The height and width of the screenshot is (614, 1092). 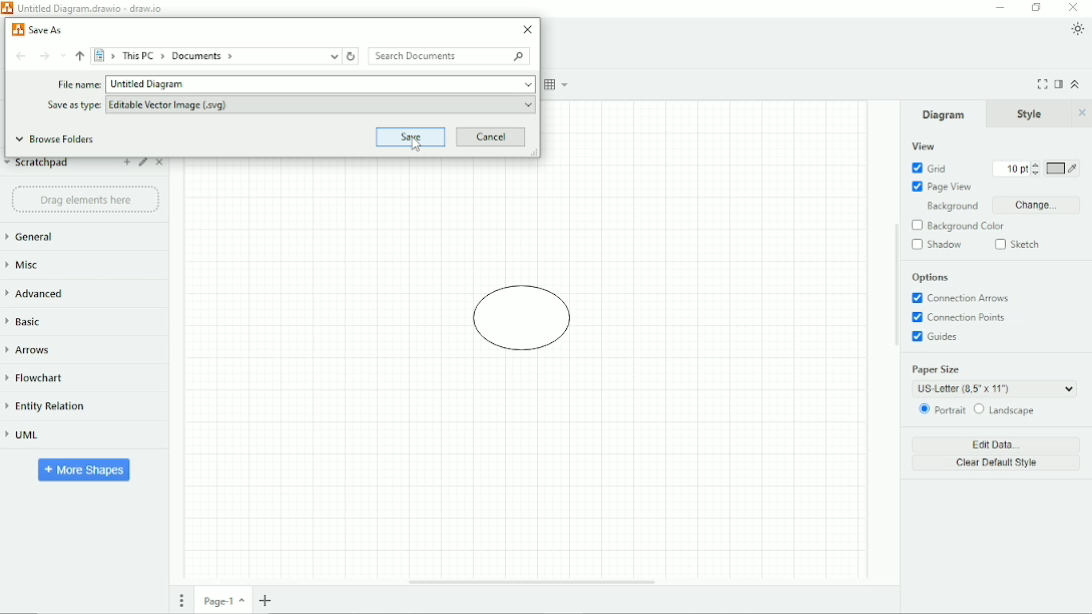 What do you see at coordinates (93, 9) in the screenshot?
I see `Untitled Diagram.drawio - draw.io` at bounding box center [93, 9].